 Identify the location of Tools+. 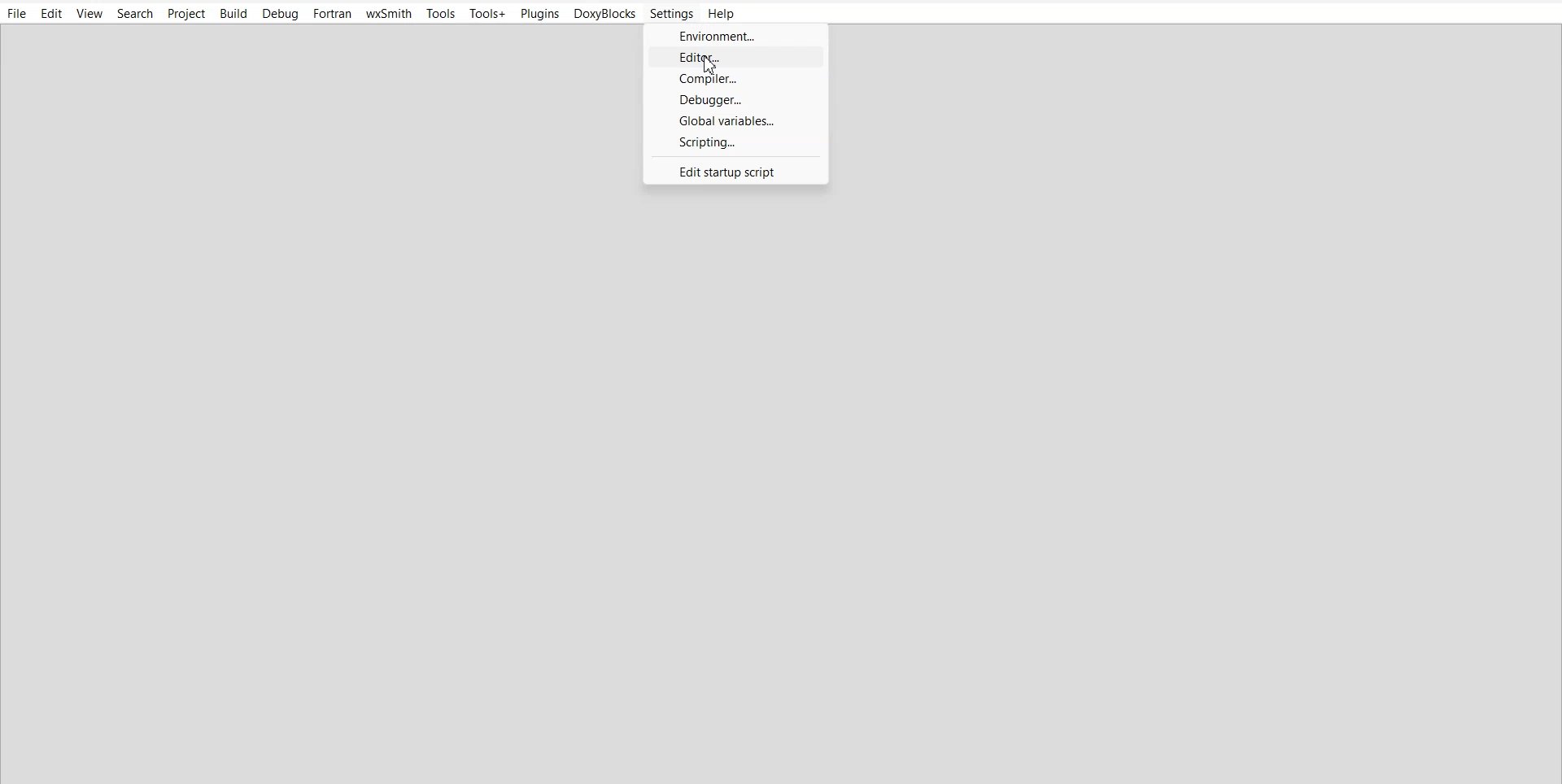
(489, 12).